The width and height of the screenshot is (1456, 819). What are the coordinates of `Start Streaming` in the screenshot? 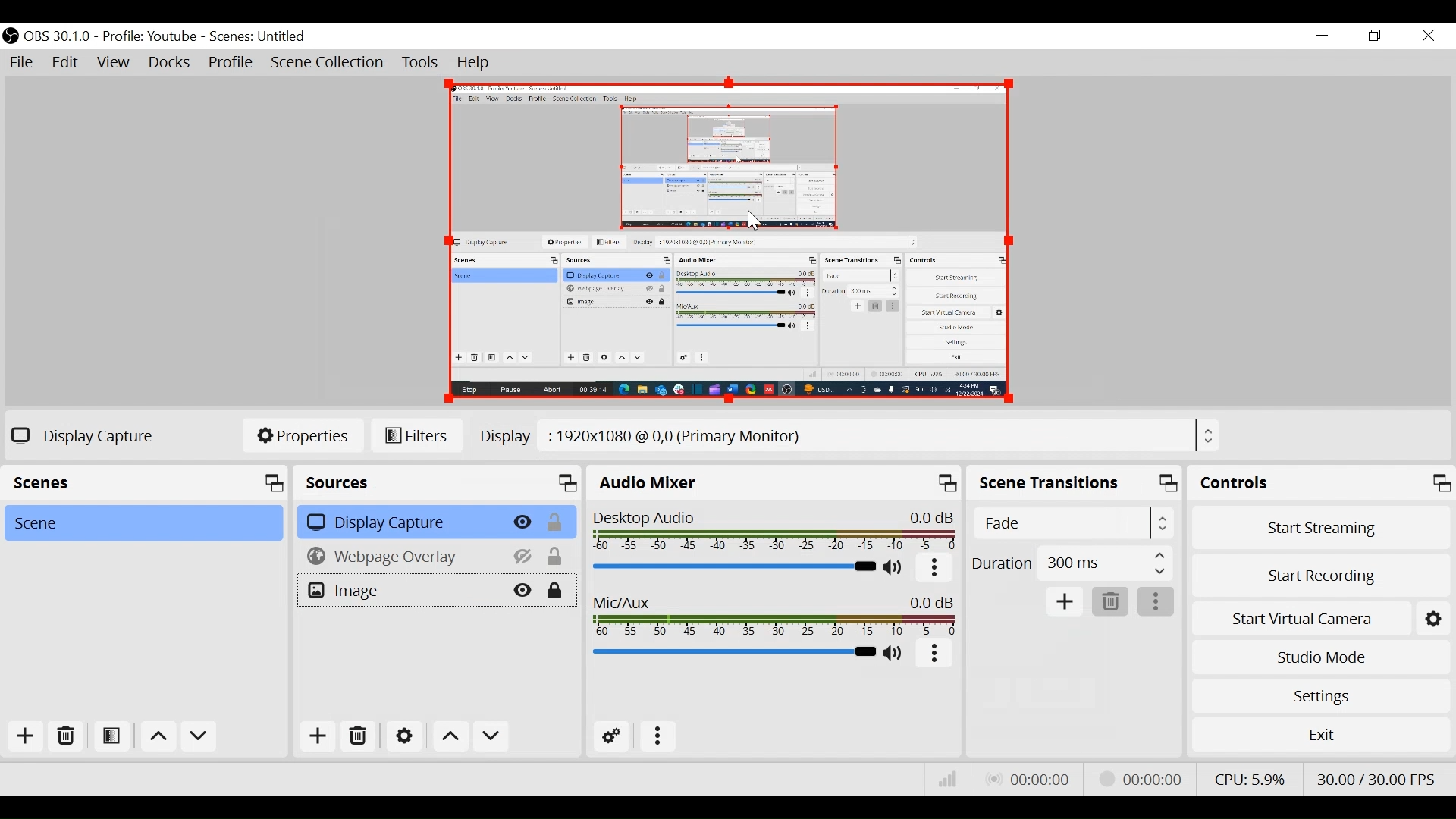 It's located at (1321, 528).